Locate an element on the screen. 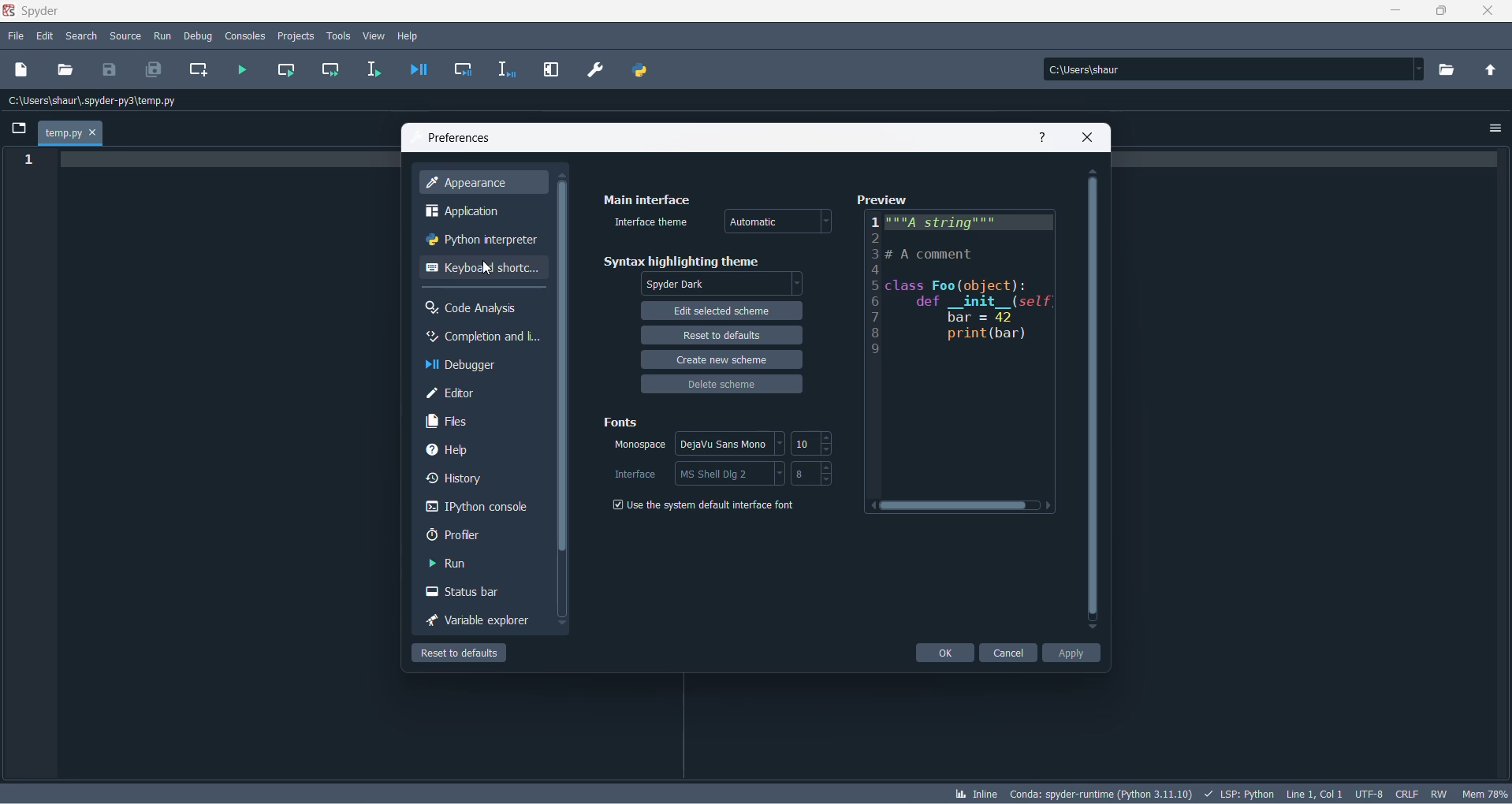 The width and height of the screenshot is (1512, 804). application theme is located at coordinates (724, 284).